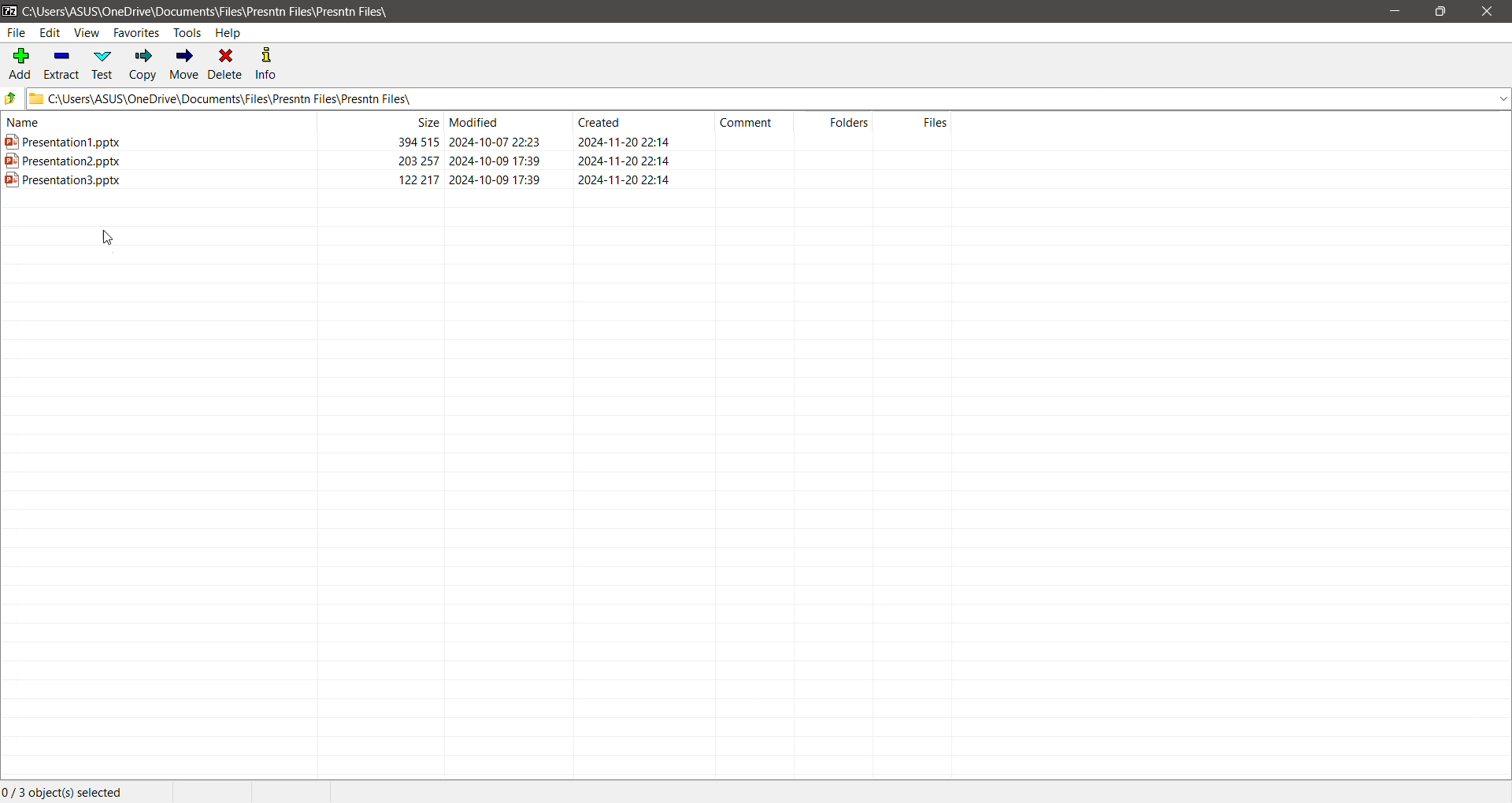 The width and height of the screenshot is (1512, 803). I want to click on Close, so click(1490, 12).